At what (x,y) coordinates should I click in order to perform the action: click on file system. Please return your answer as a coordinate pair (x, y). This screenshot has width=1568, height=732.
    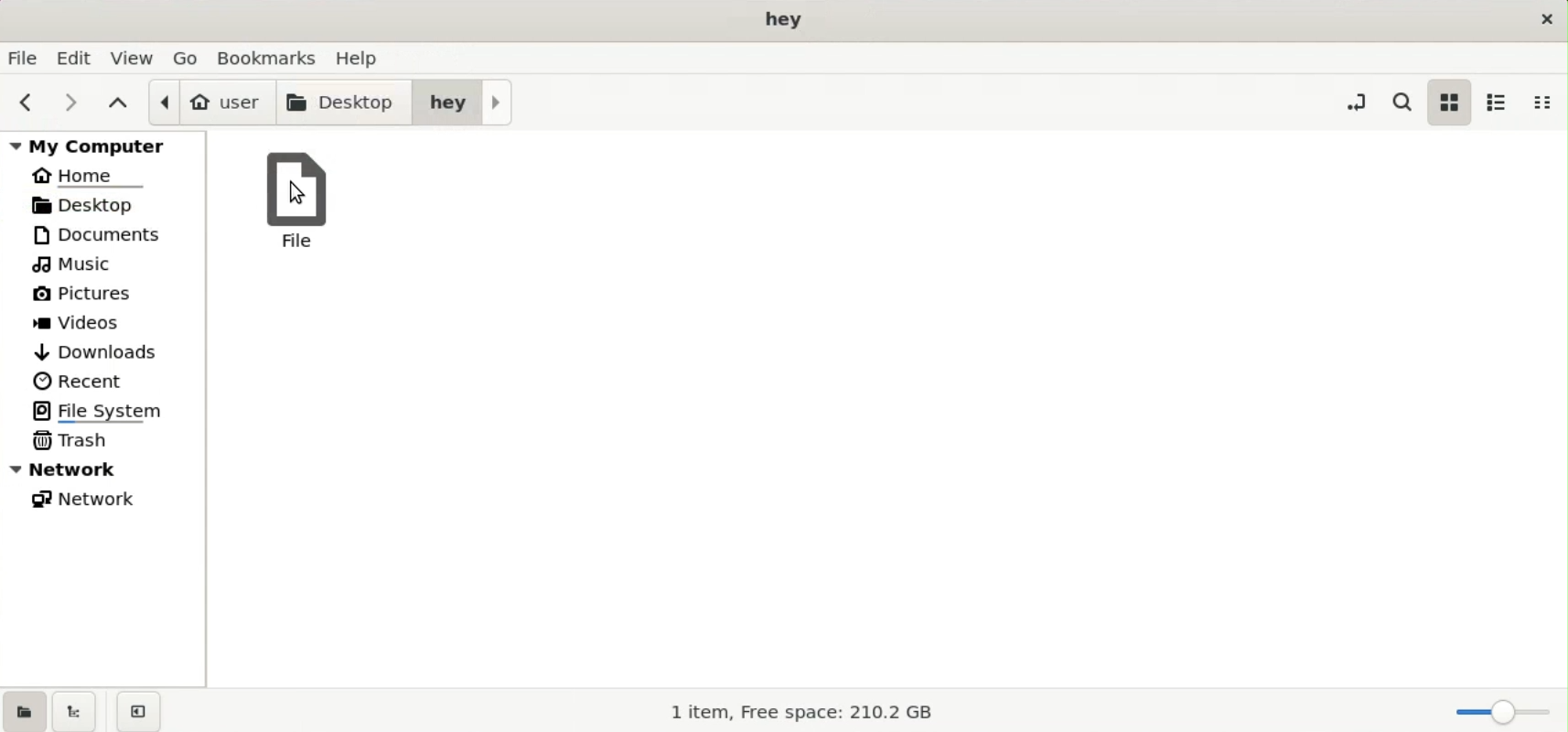
    Looking at the image, I should click on (105, 410).